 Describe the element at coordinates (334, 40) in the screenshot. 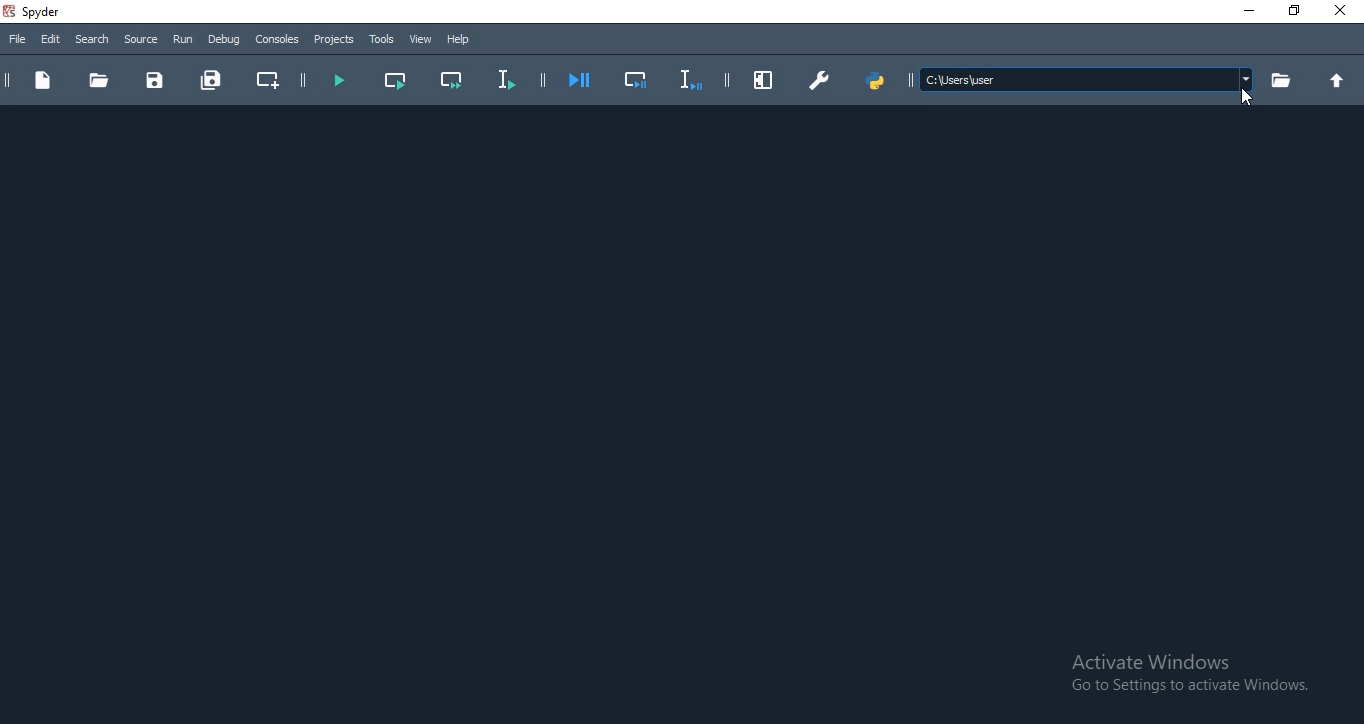

I see `Projects` at that location.